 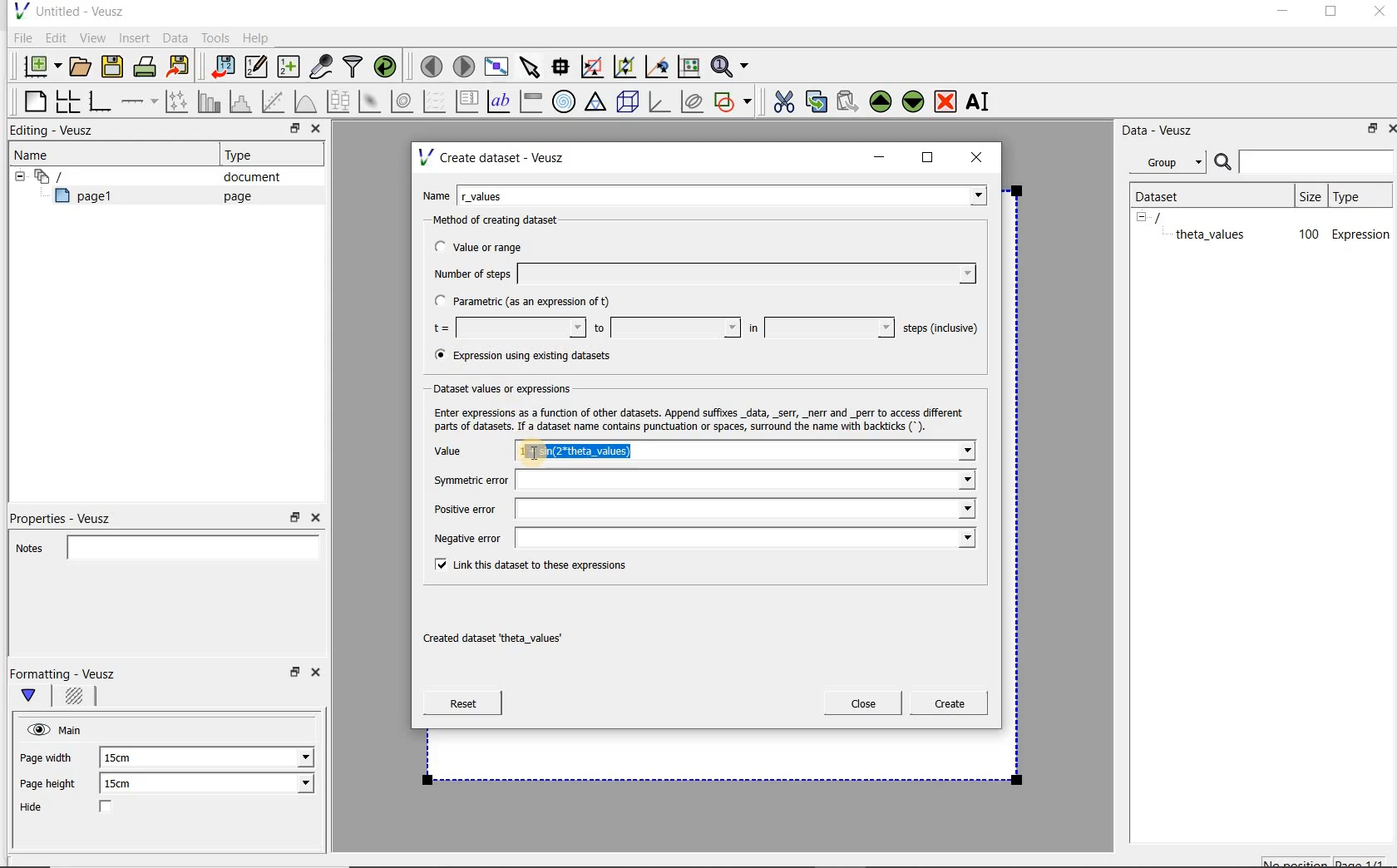 I want to click on 15cm, so click(x=128, y=784).